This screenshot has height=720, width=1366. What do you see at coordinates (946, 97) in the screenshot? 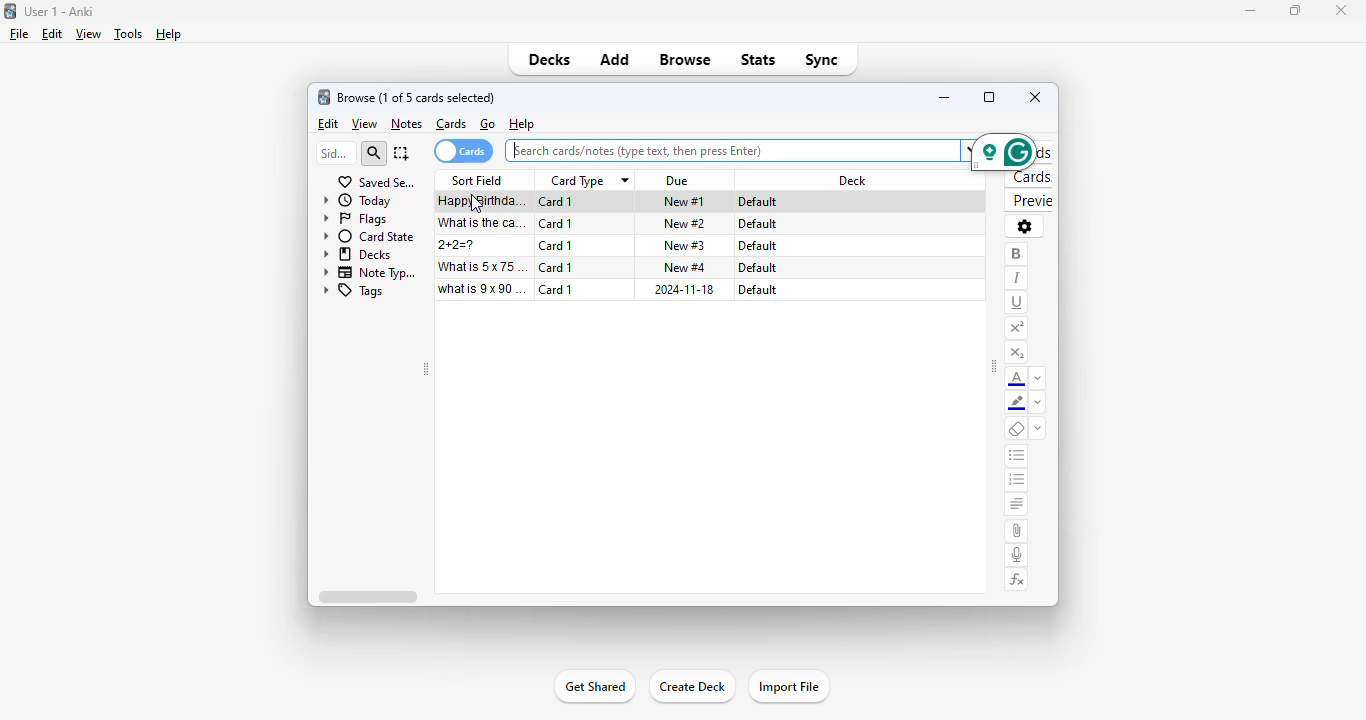
I see `minimize` at bounding box center [946, 97].